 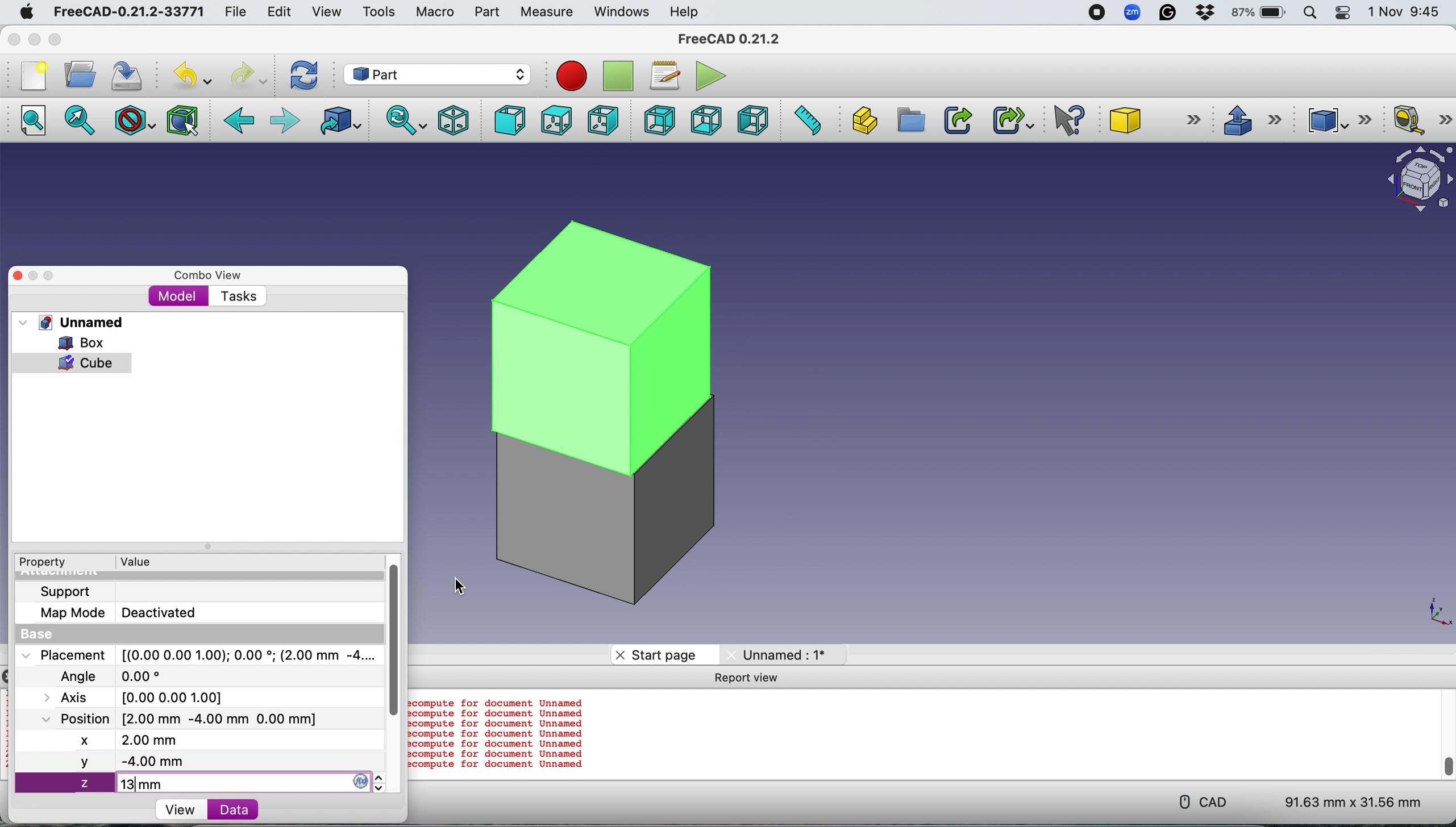 I want to click on Support, so click(x=65, y=592).